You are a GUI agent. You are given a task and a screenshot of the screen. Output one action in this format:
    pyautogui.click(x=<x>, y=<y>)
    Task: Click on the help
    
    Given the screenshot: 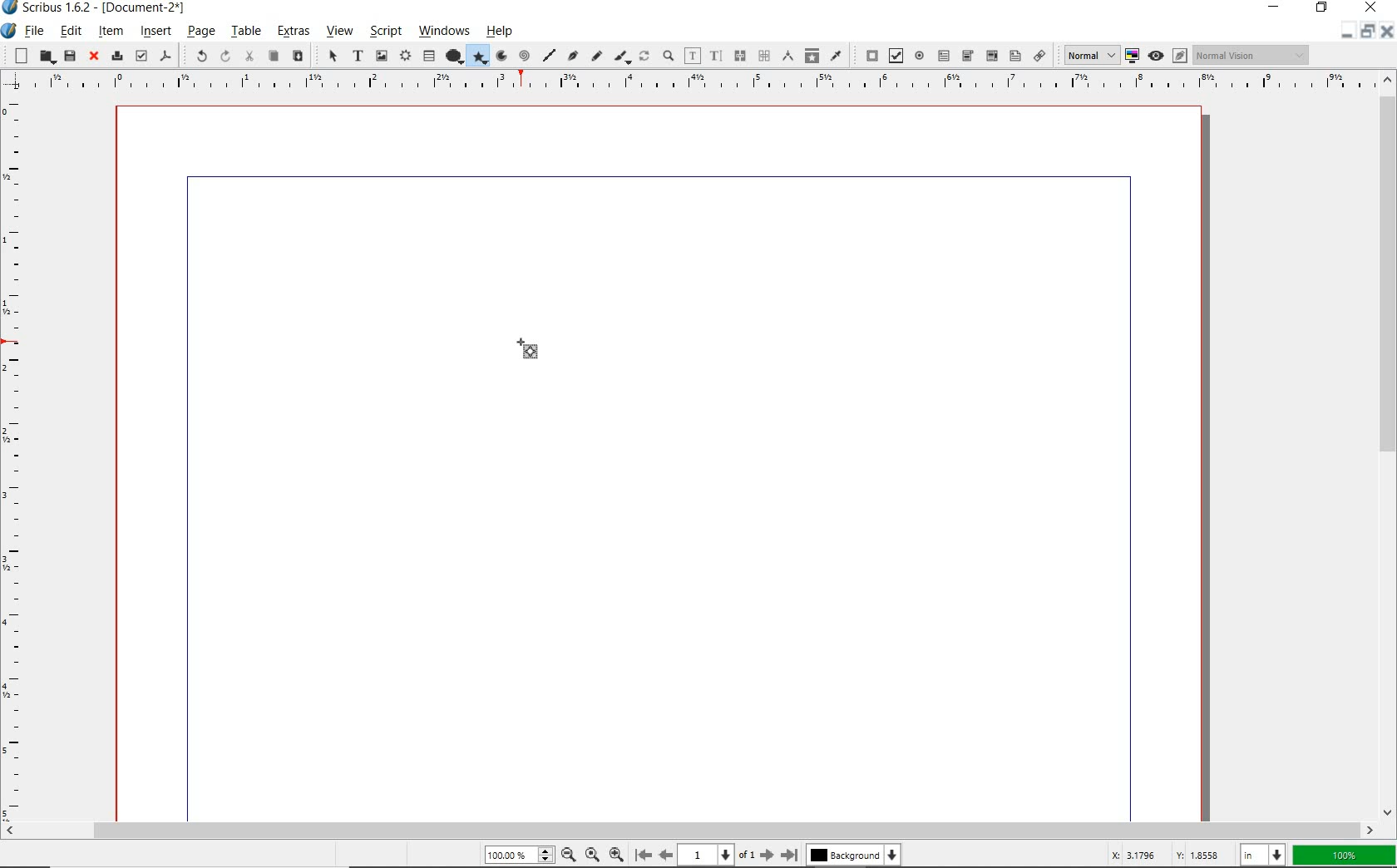 What is the action you would take?
    pyautogui.click(x=502, y=33)
    